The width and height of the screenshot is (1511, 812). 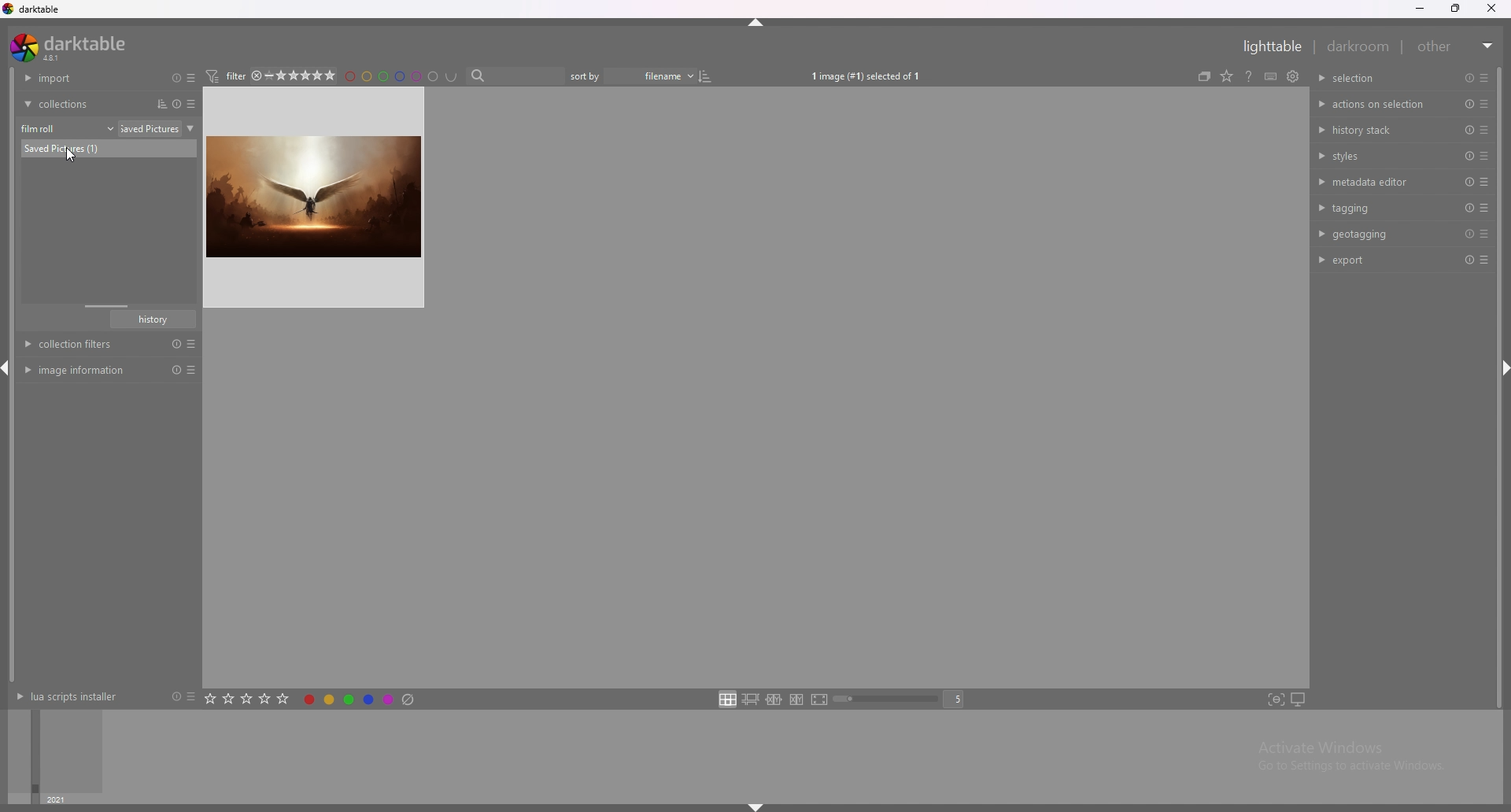 I want to click on filter, so click(x=232, y=76).